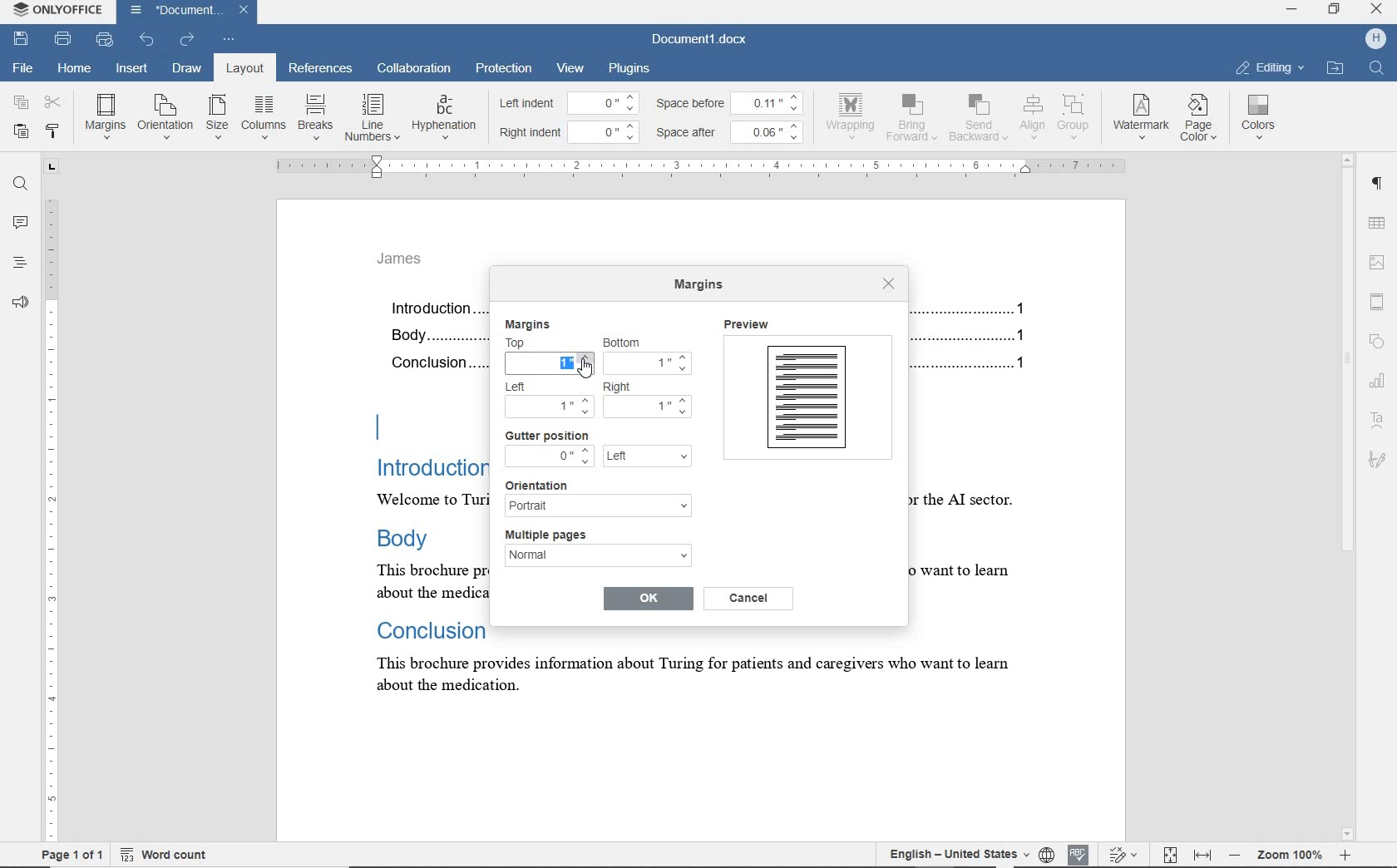 The height and width of the screenshot is (868, 1397). What do you see at coordinates (1203, 854) in the screenshot?
I see `fit to width` at bounding box center [1203, 854].